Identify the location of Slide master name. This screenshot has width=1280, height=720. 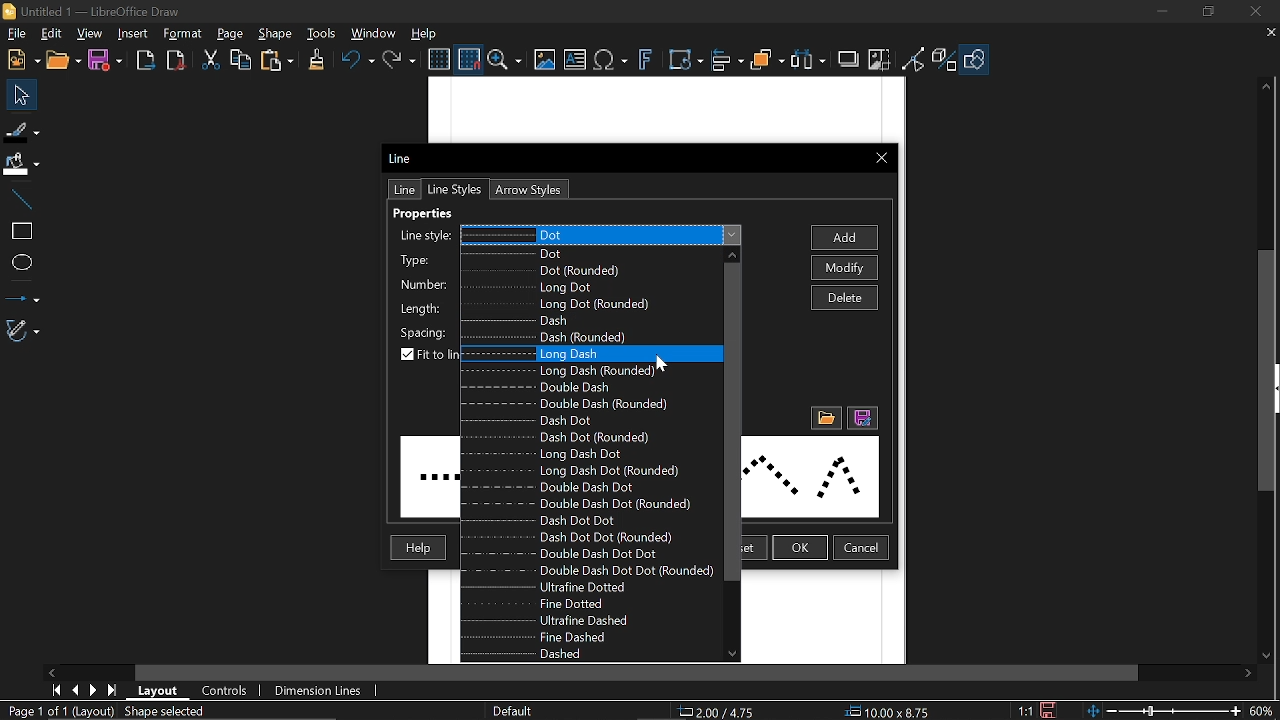
(522, 711).